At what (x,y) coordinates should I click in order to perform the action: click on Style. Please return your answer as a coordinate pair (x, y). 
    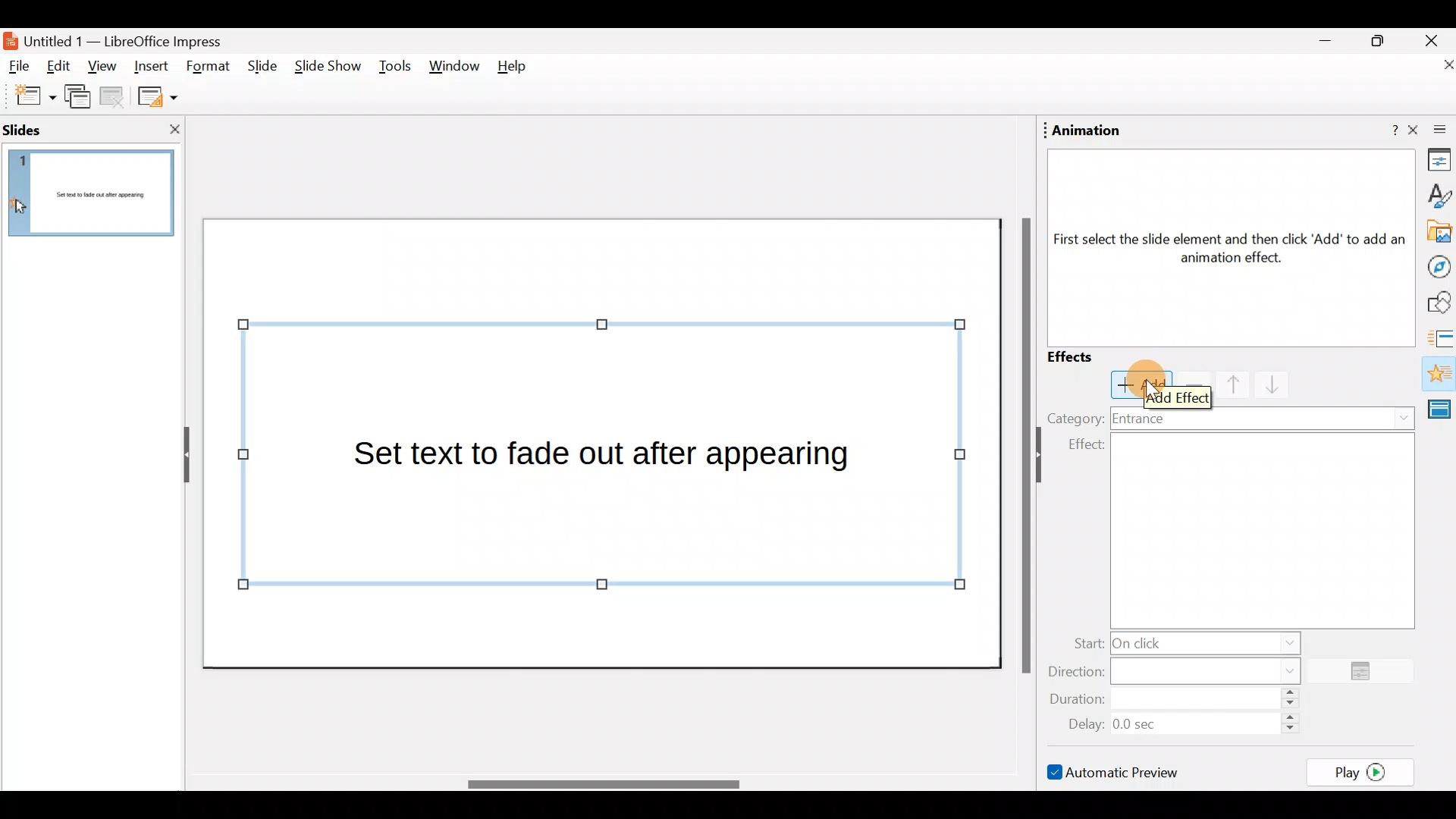
    Looking at the image, I should click on (1438, 195).